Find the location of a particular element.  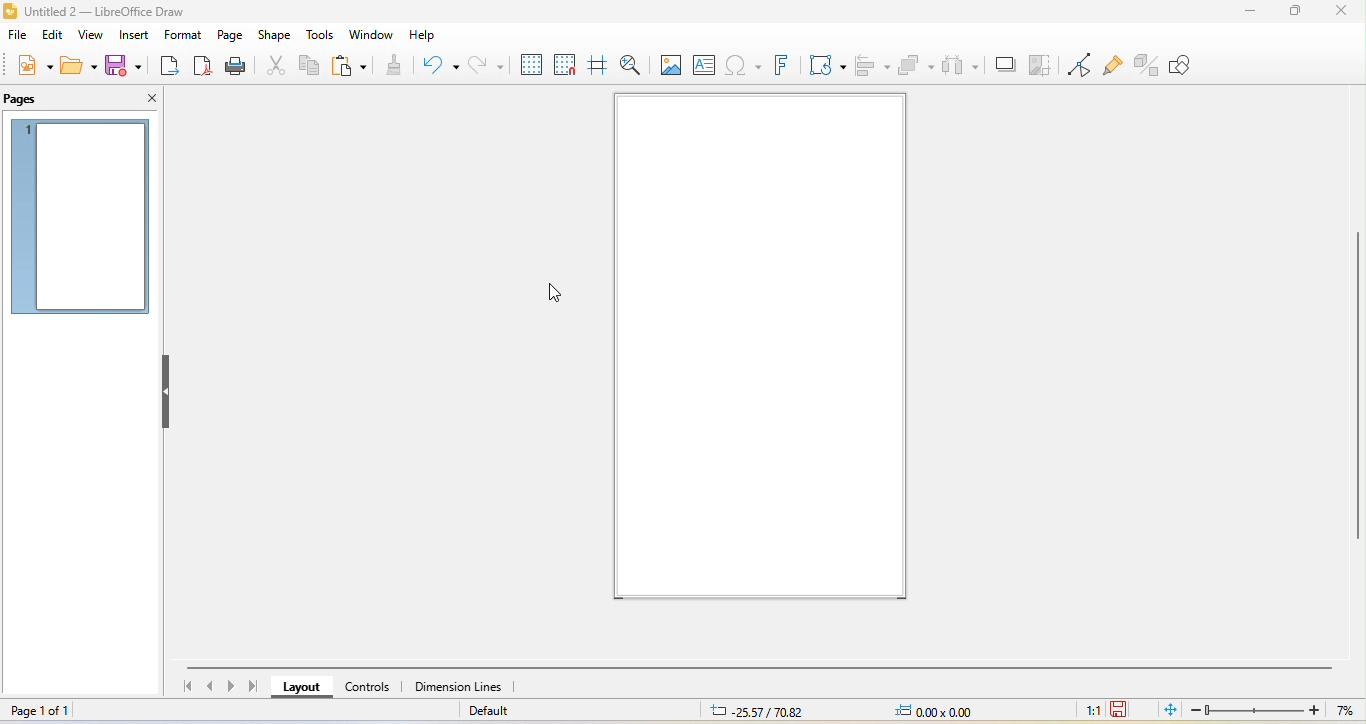

shape is located at coordinates (275, 36).